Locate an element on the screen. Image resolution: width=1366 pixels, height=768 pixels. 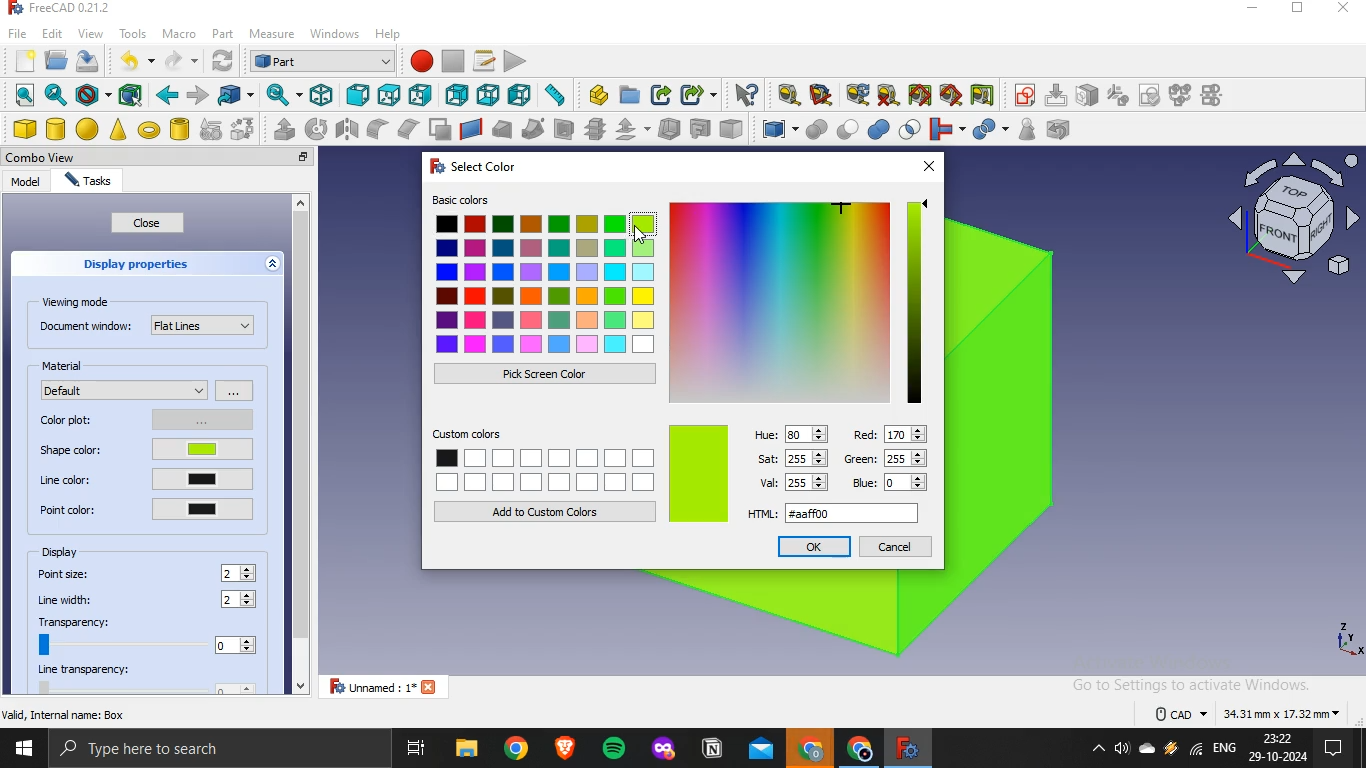
defeaturing is located at coordinates (1063, 129).